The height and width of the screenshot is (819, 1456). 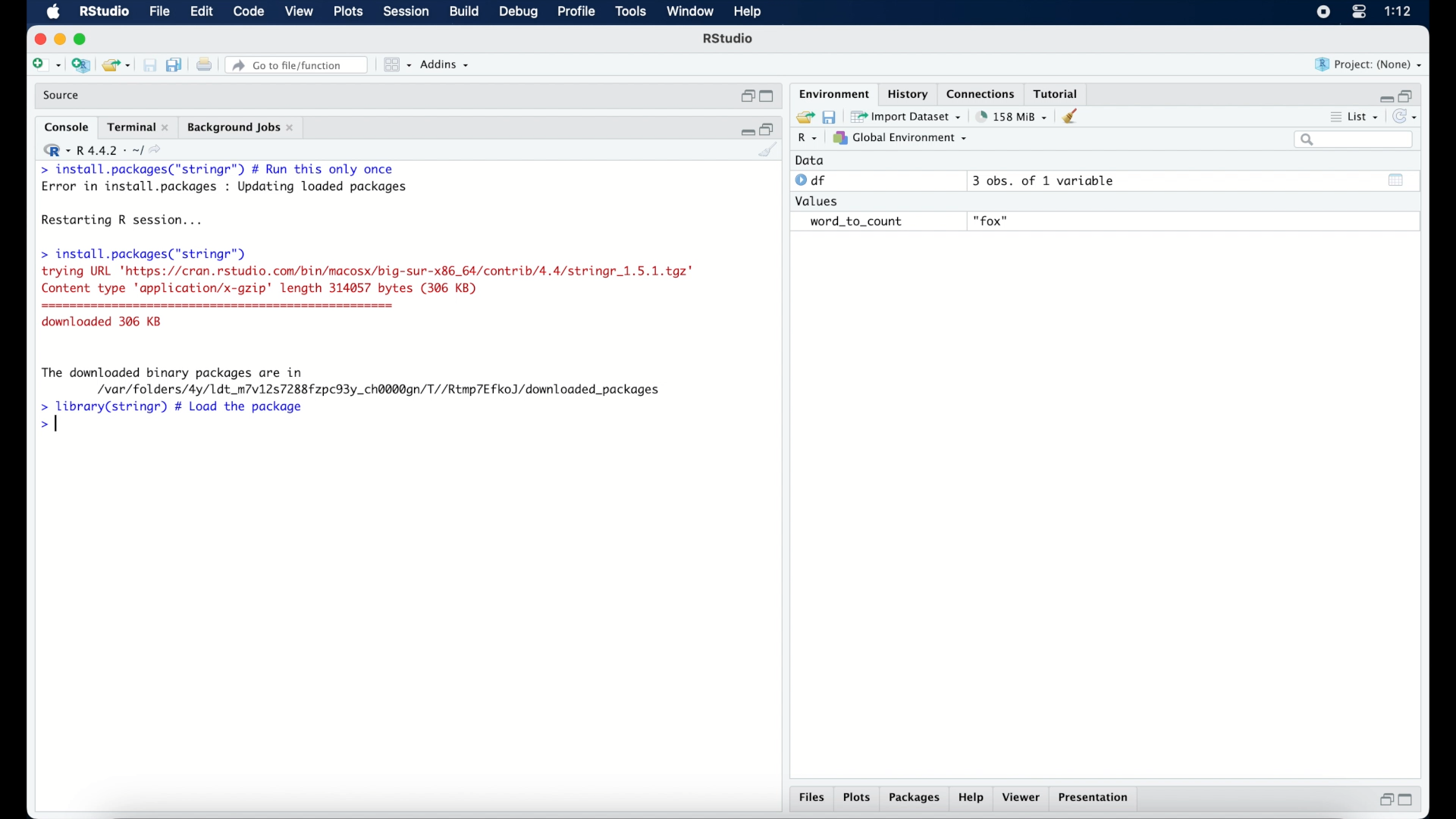 I want to click on global environment, so click(x=900, y=137).